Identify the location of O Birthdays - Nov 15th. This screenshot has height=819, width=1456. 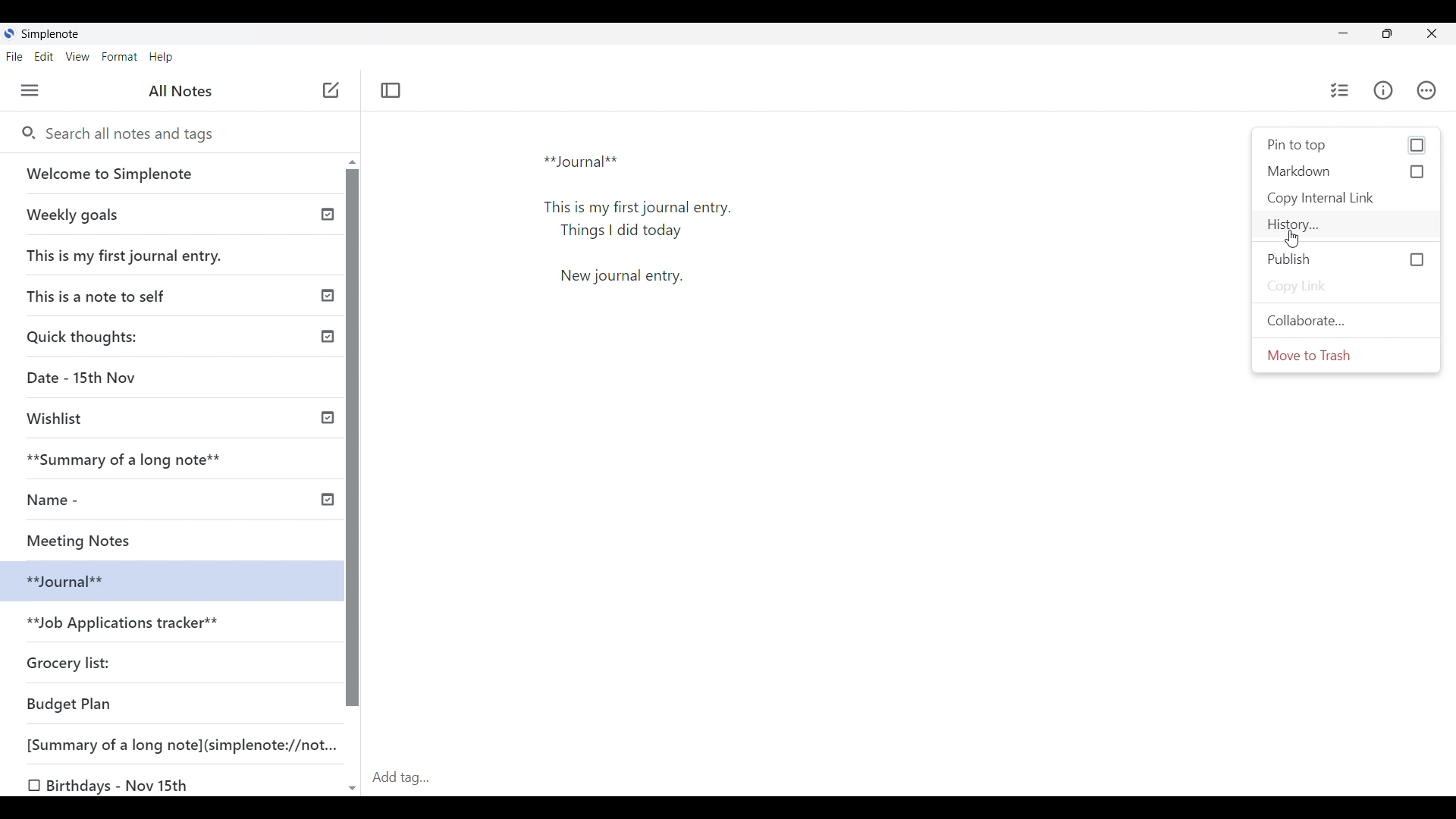
(111, 786).